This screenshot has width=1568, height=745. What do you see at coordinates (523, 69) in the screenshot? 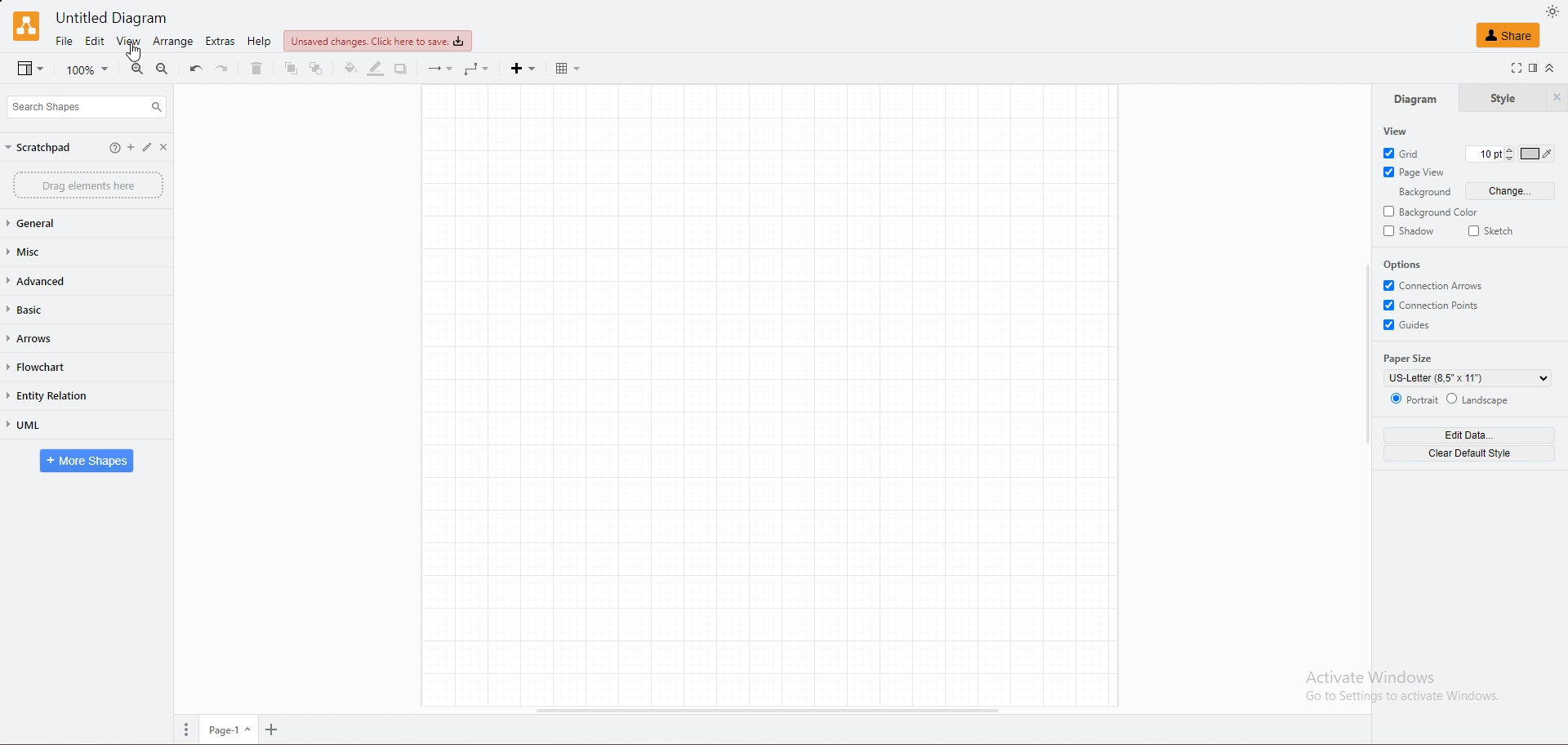
I see `insert` at bounding box center [523, 69].